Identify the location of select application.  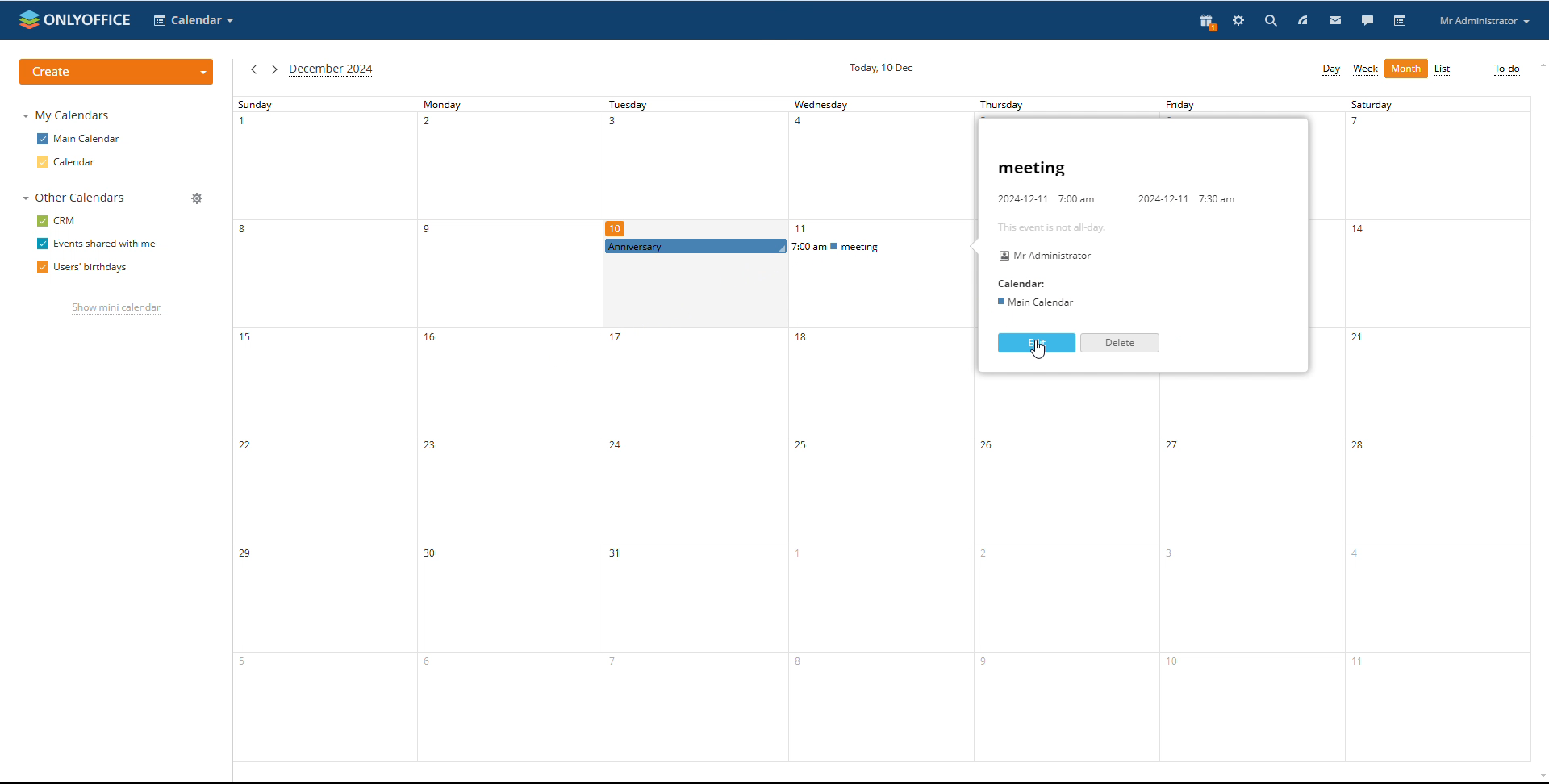
(194, 21).